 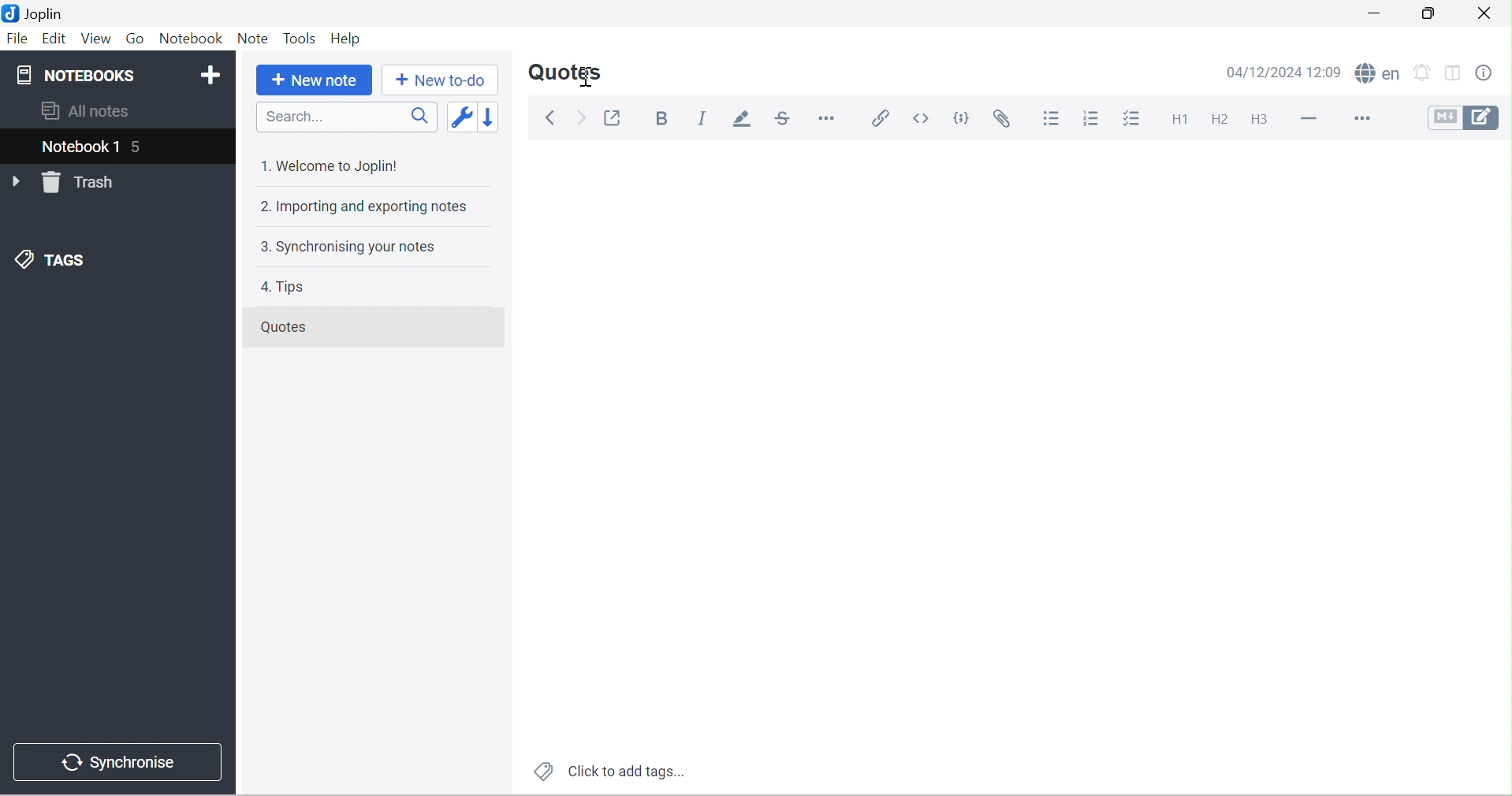 What do you see at coordinates (39, 13) in the screenshot?
I see `Joplin` at bounding box center [39, 13].